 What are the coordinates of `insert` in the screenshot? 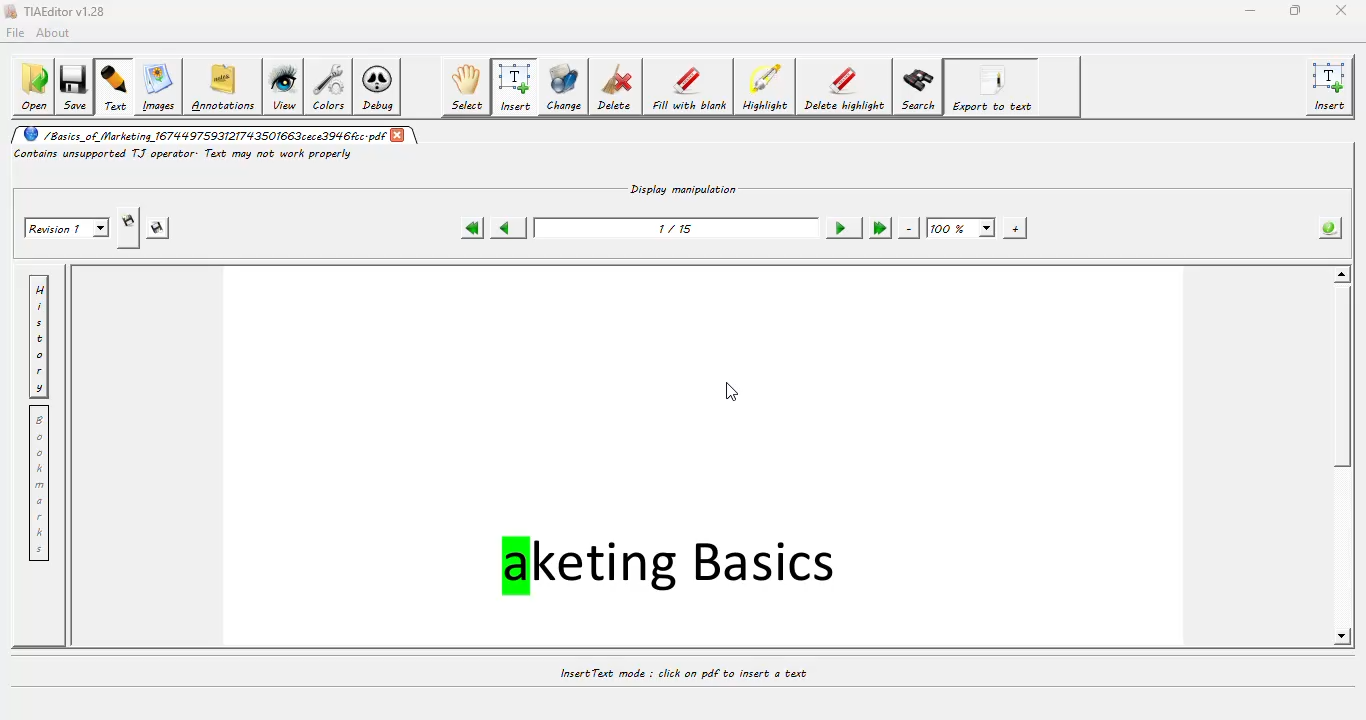 It's located at (515, 87).